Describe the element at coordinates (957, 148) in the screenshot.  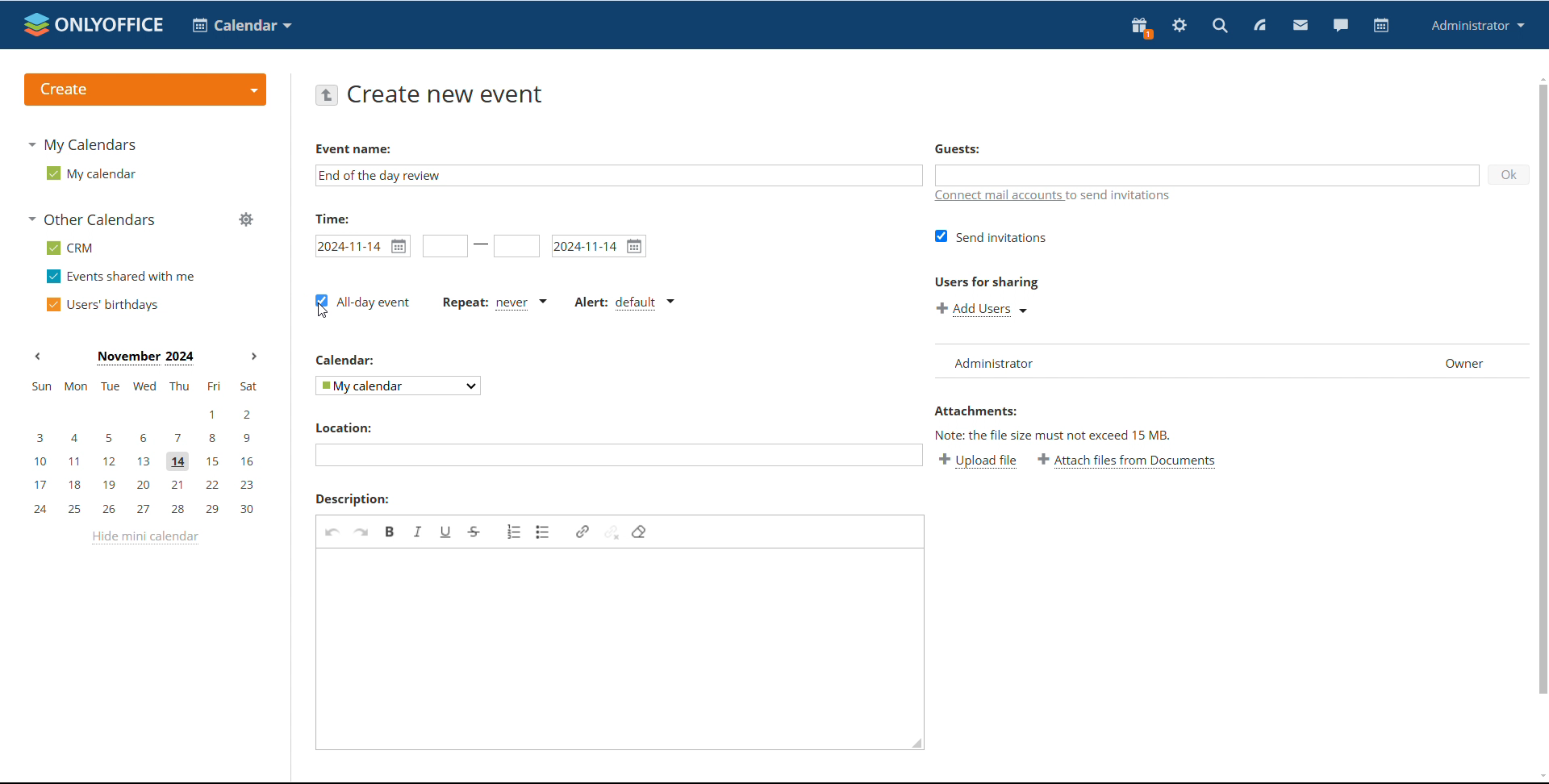
I see `guests` at that location.